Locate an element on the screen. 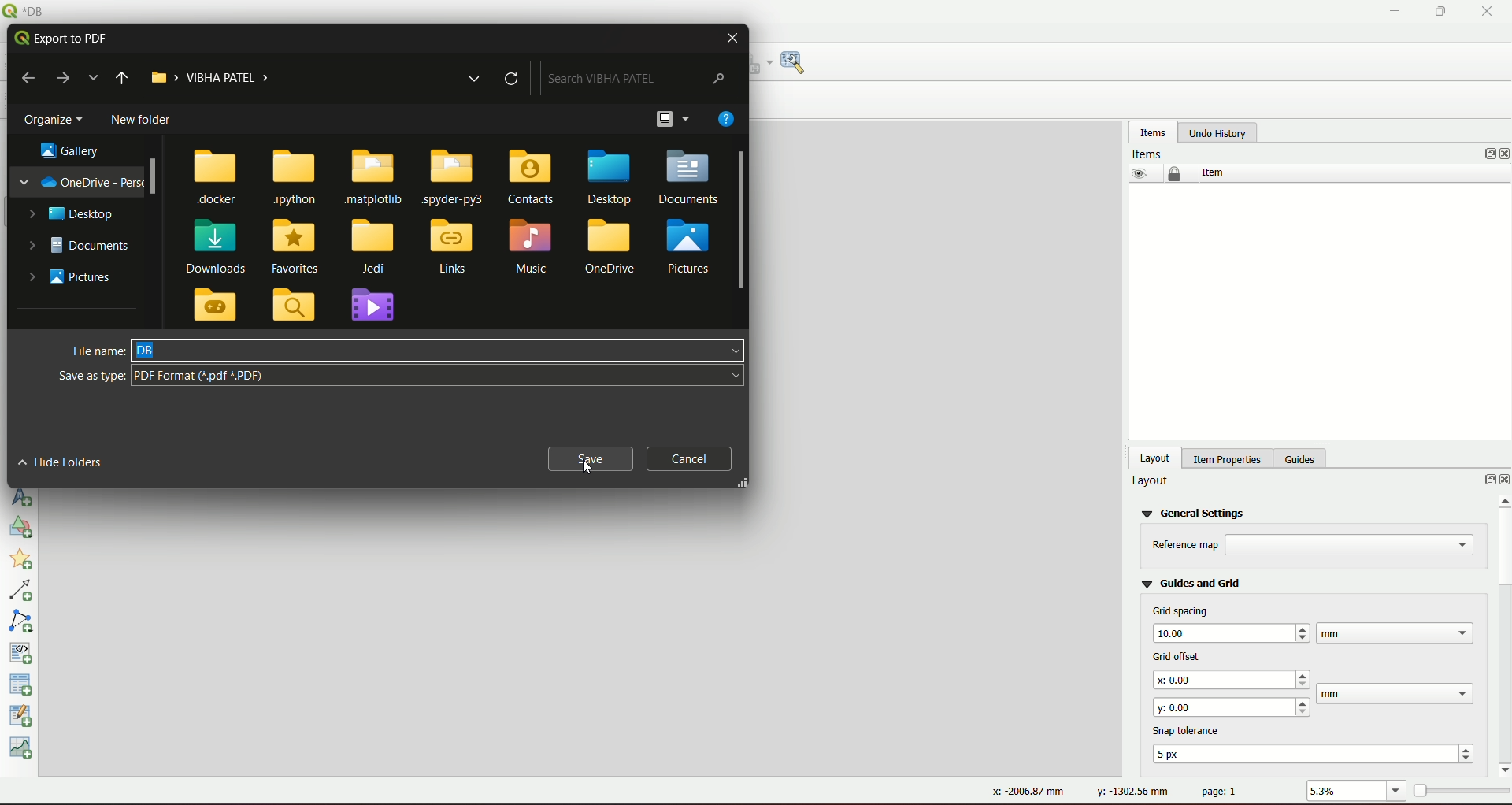 The width and height of the screenshot is (1512, 805). Reference map is located at coordinates (1185, 545).